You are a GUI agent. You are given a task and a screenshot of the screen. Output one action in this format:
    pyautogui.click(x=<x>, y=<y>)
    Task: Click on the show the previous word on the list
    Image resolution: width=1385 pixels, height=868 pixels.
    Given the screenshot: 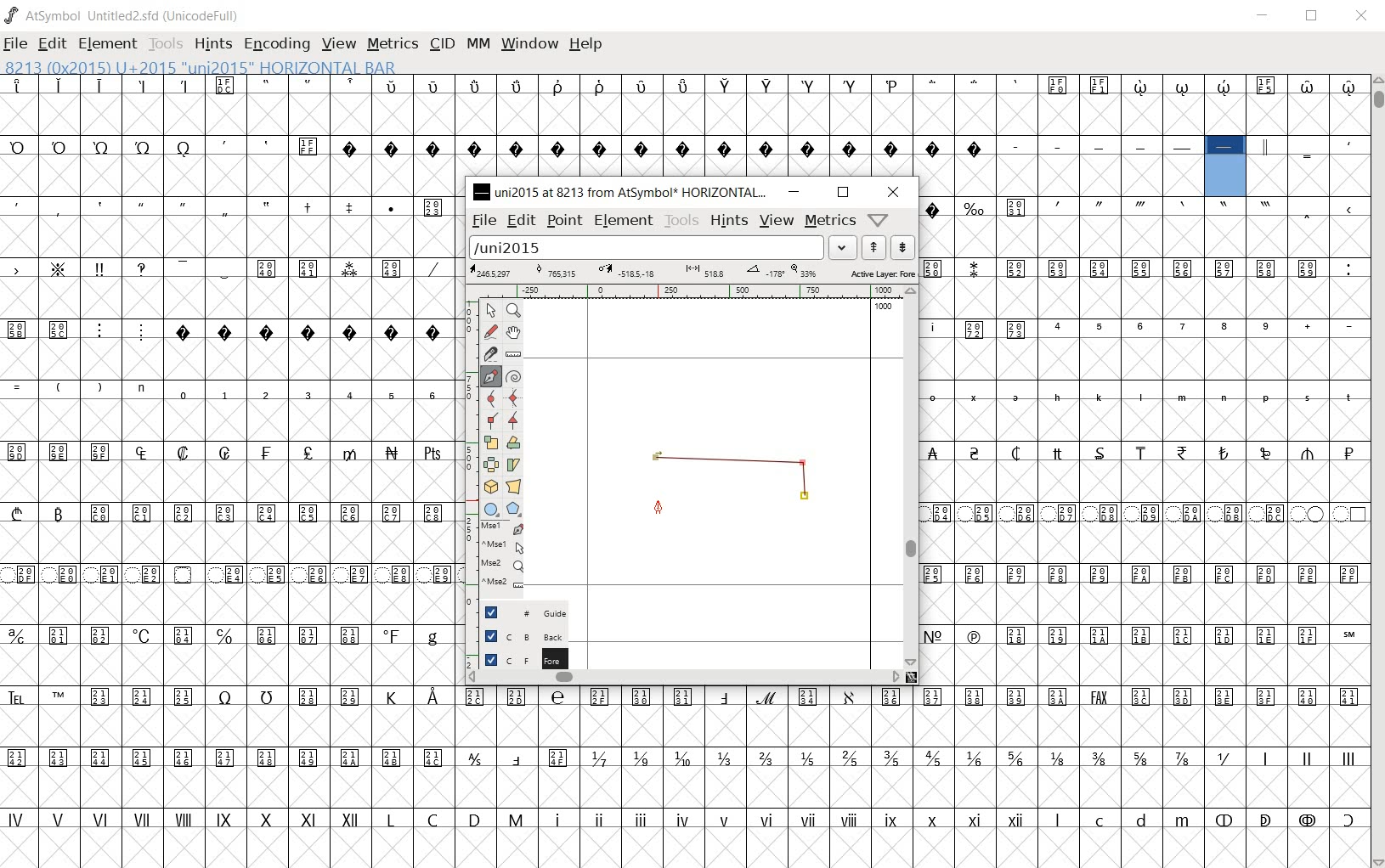 What is the action you would take?
    pyautogui.click(x=902, y=247)
    